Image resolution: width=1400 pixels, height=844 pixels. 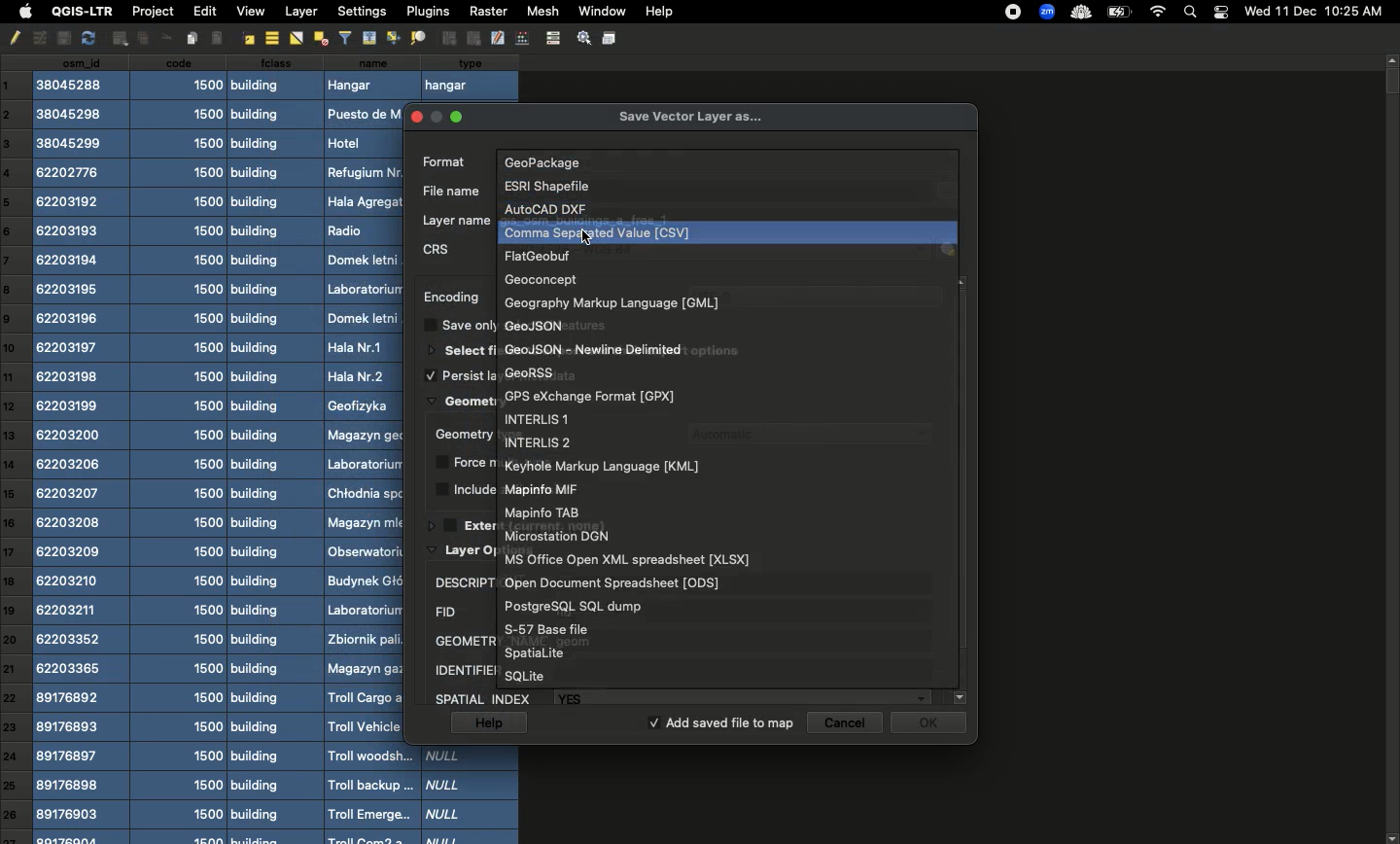 What do you see at coordinates (22, 13) in the screenshot?
I see `Apple` at bounding box center [22, 13].